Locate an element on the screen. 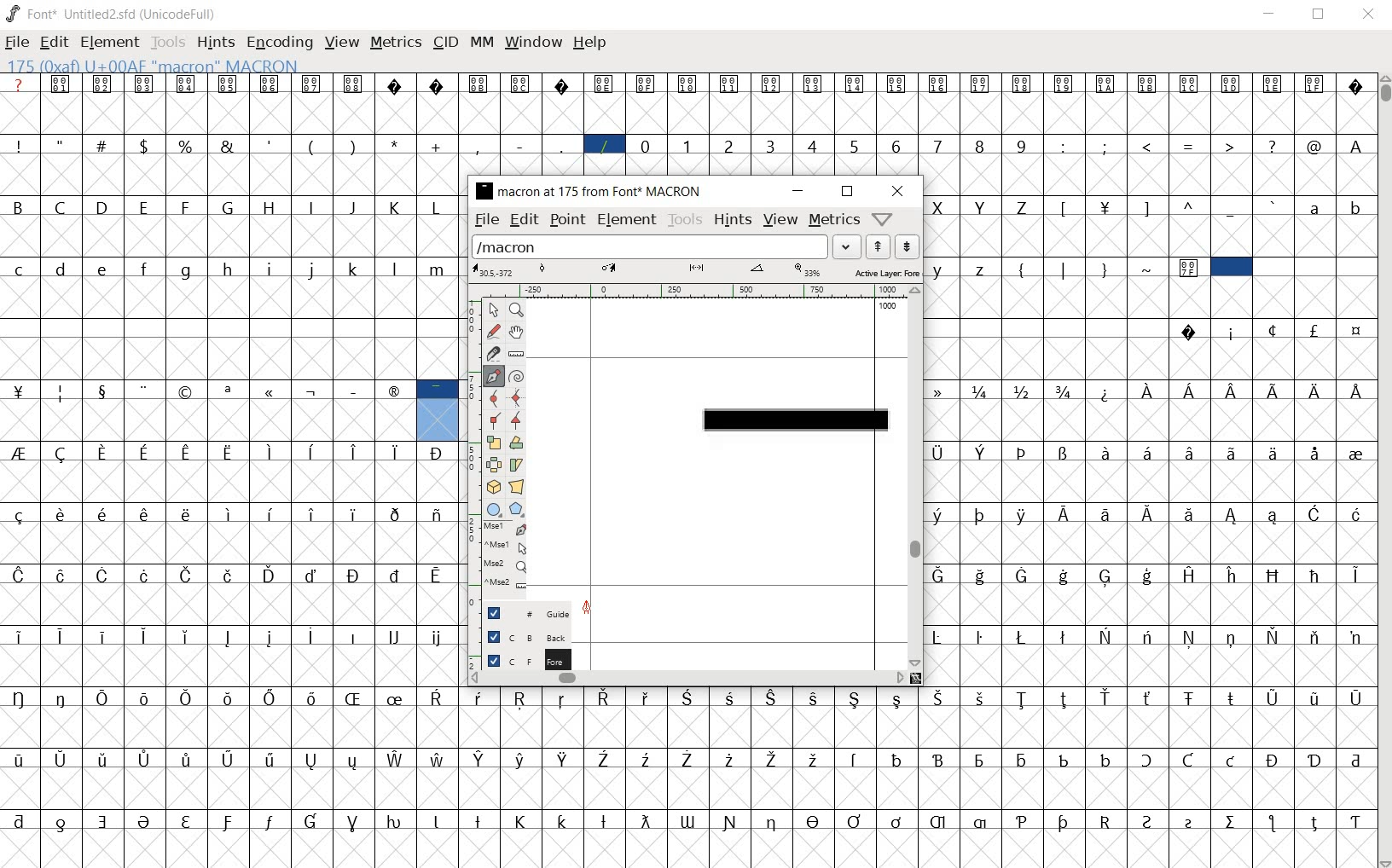 The height and width of the screenshot is (868, 1392). Symbol is located at coordinates (940, 84).